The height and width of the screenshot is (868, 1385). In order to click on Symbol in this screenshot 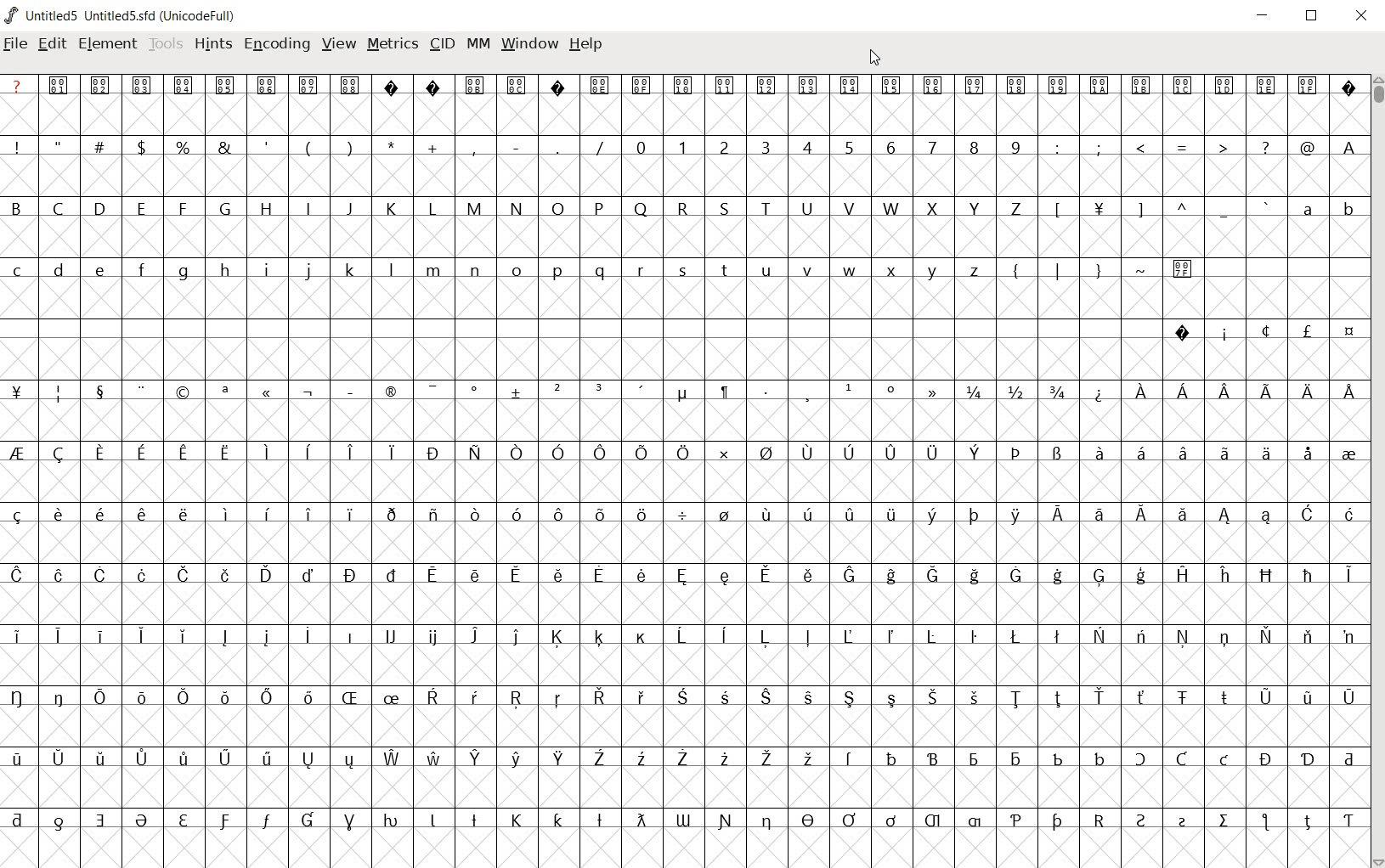, I will do `click(517, 390)`.